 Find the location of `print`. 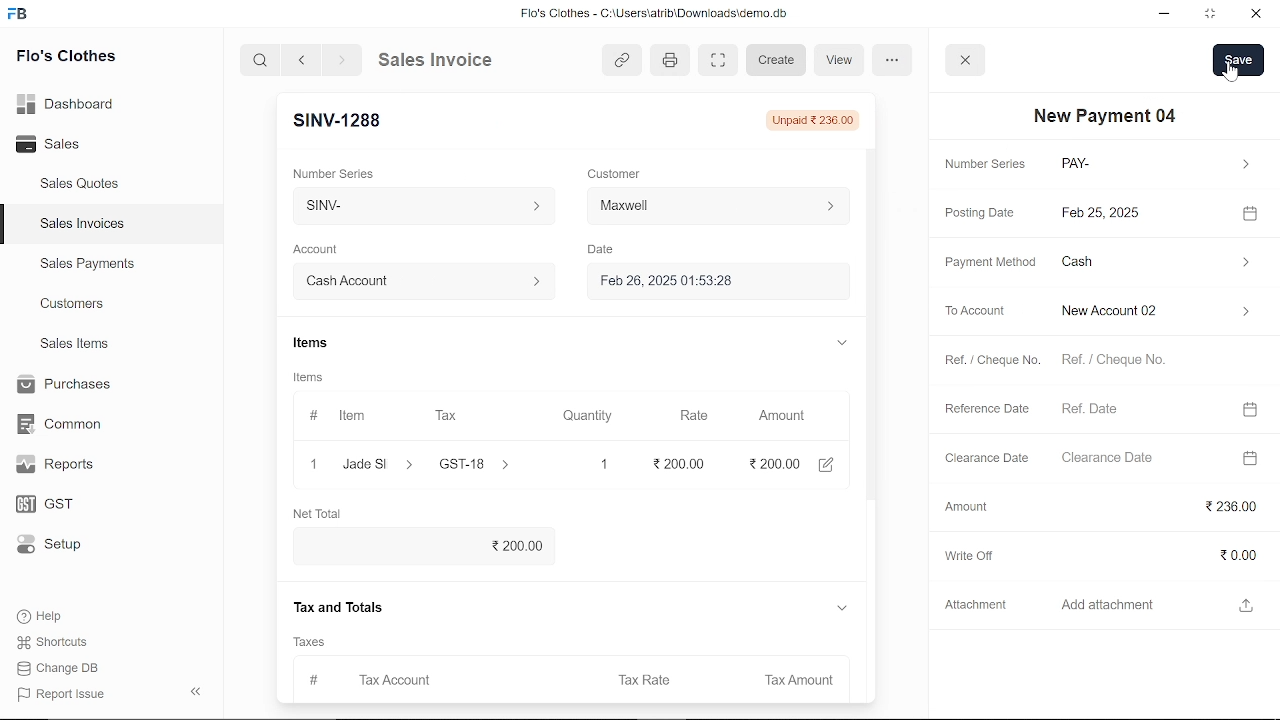

print is located at coordinates (667, 58).